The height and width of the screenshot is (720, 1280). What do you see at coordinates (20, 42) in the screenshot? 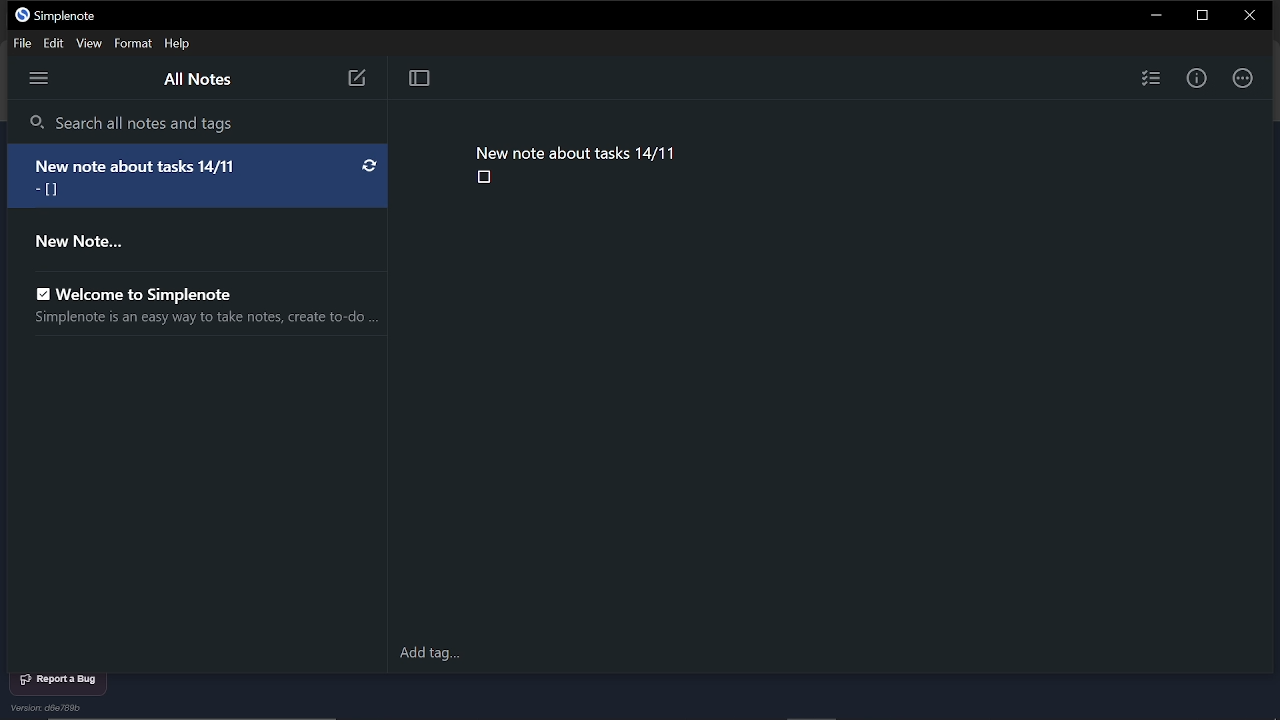
I see `File` at bounding box center [20, 42].